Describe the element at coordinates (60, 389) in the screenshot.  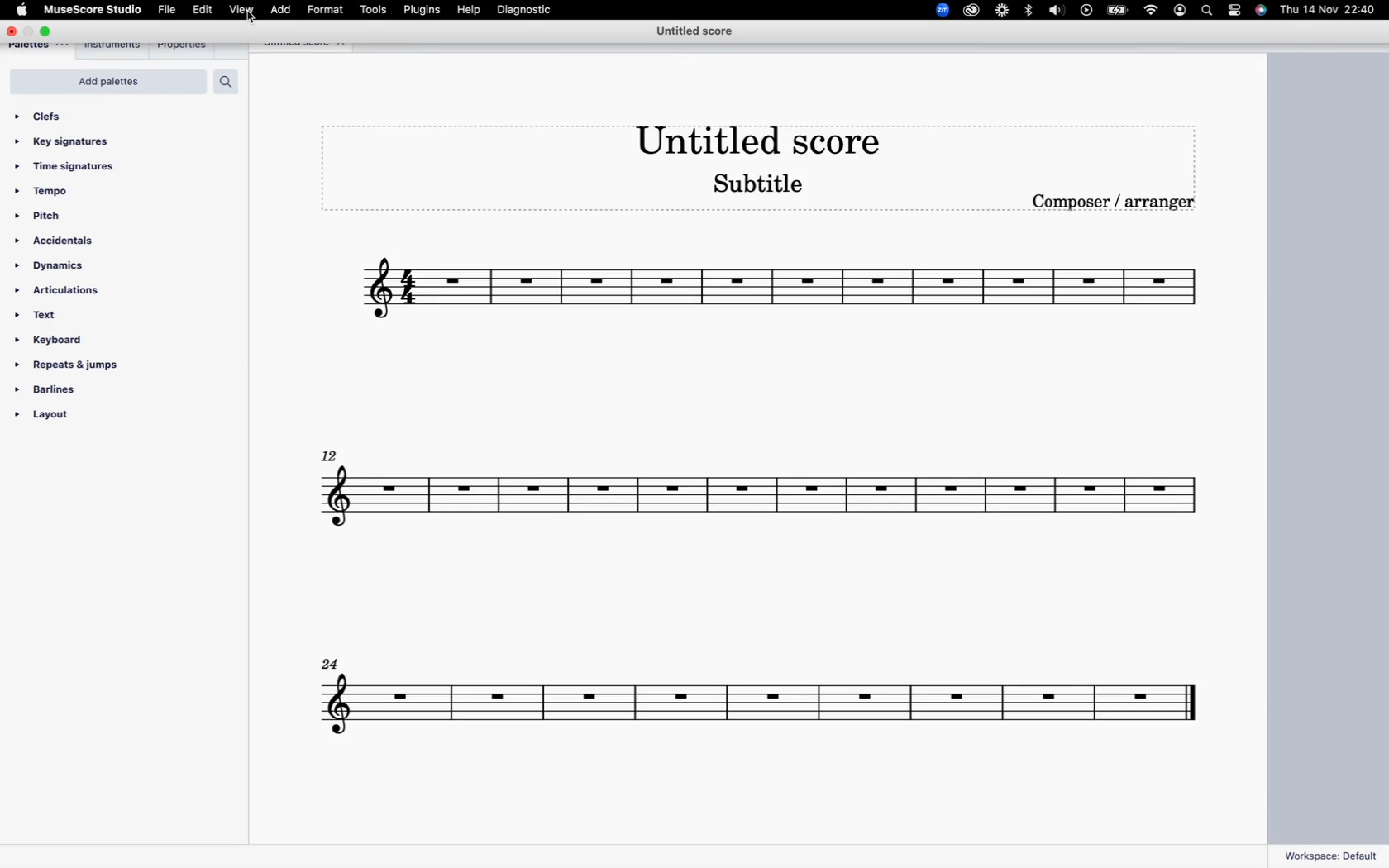
I see `barlines` at that location.